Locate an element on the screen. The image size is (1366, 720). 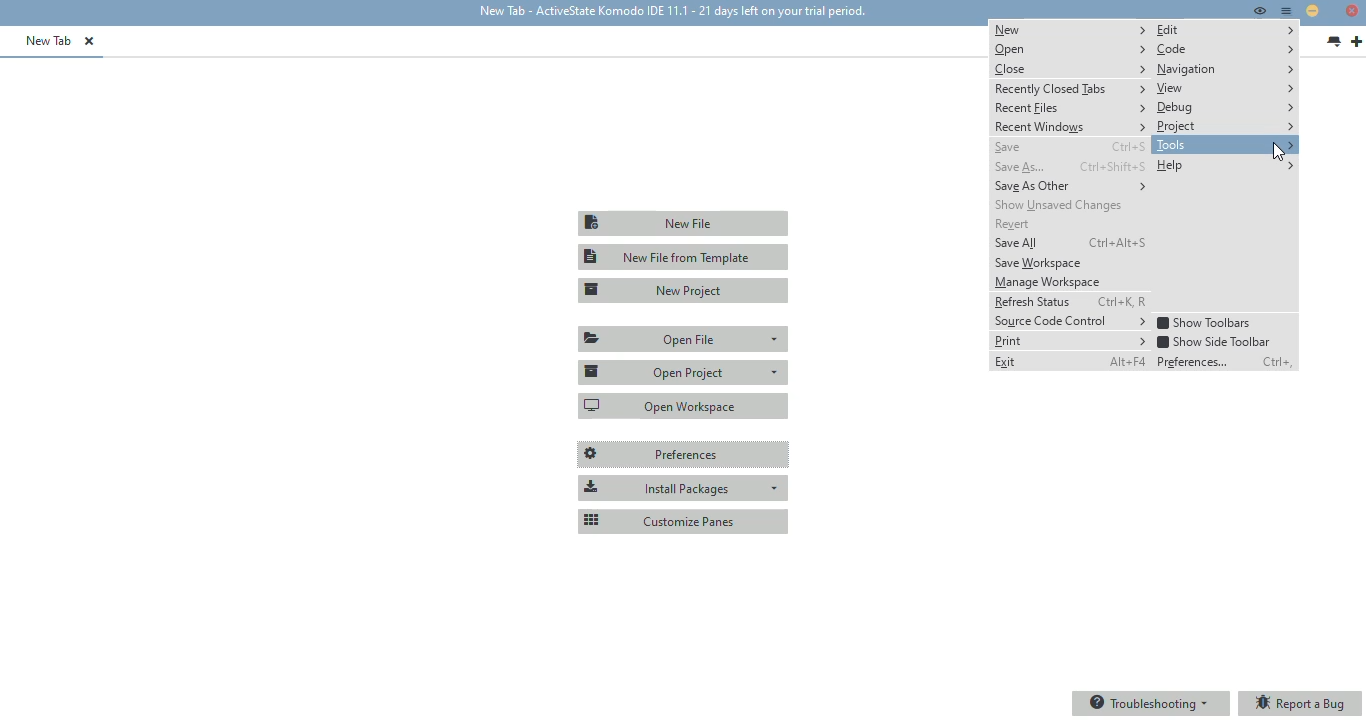
open file is located at coordinates (685, 339).